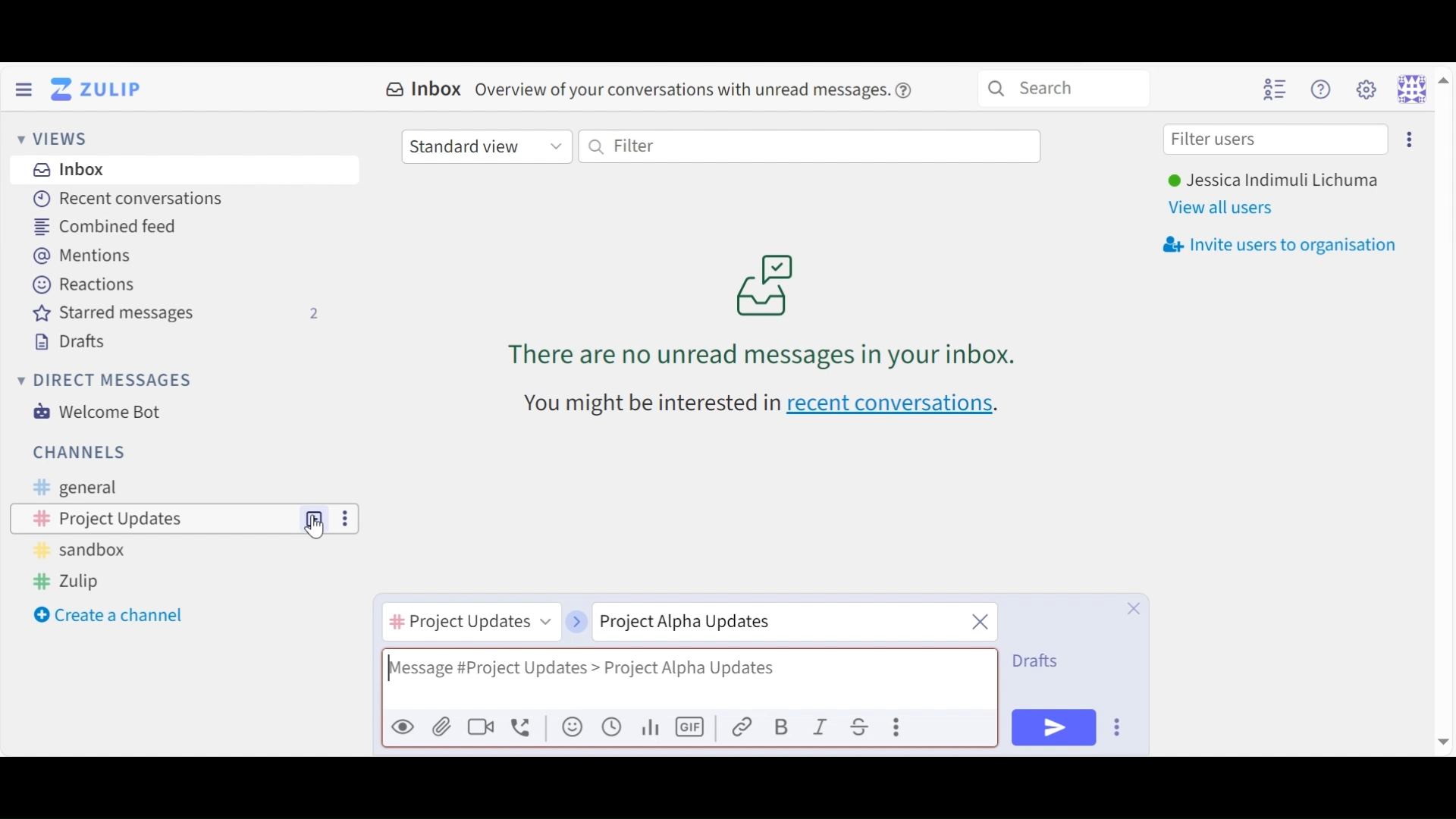 The height and width of the screenshot is (819, 1456). Describe the element at coordinates (781, 726) in the screenshot. I see `Bold` at that location.